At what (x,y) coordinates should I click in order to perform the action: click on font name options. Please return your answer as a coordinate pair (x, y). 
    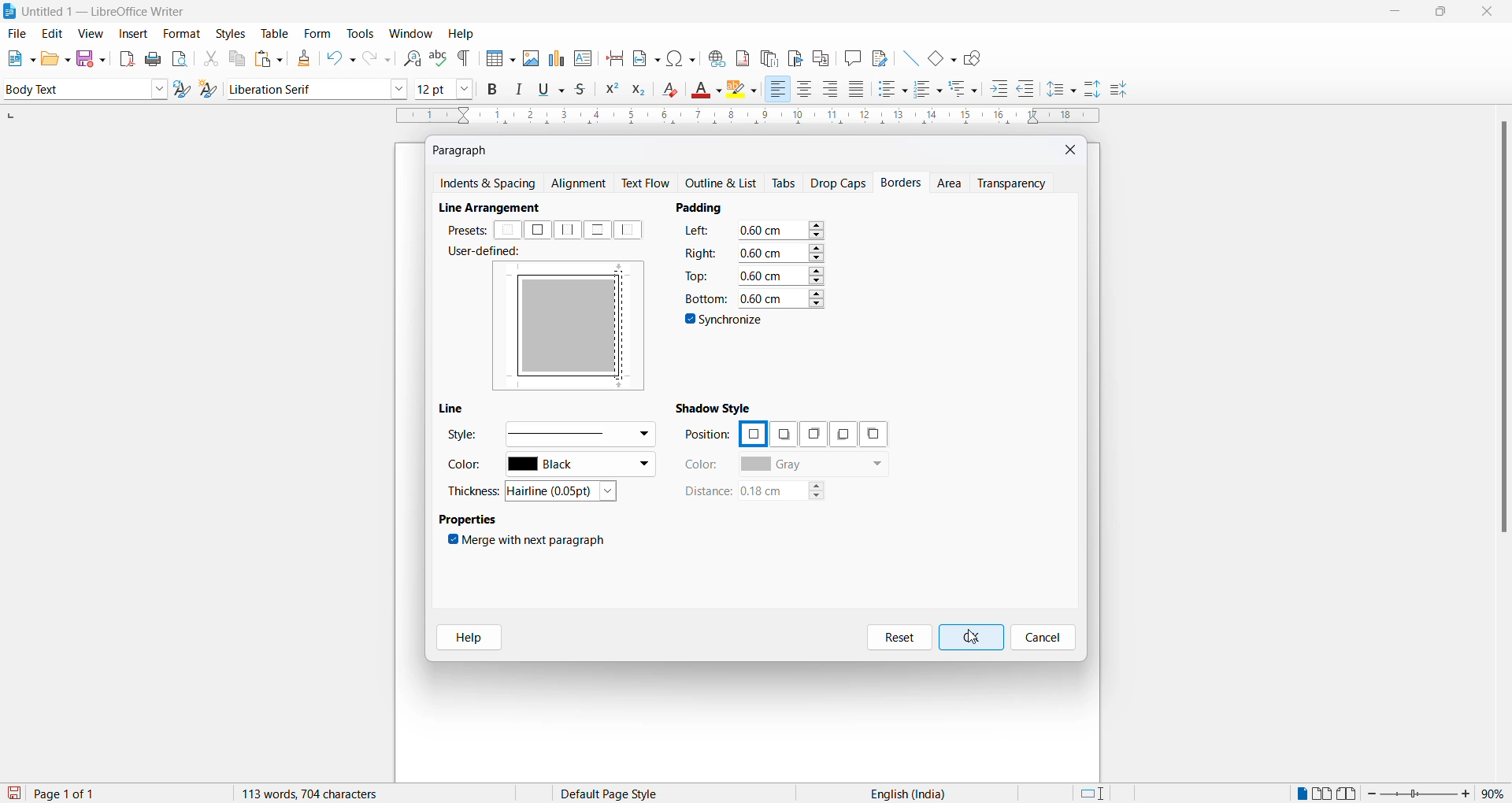
    Looking at the image, I should click on (399, 88).